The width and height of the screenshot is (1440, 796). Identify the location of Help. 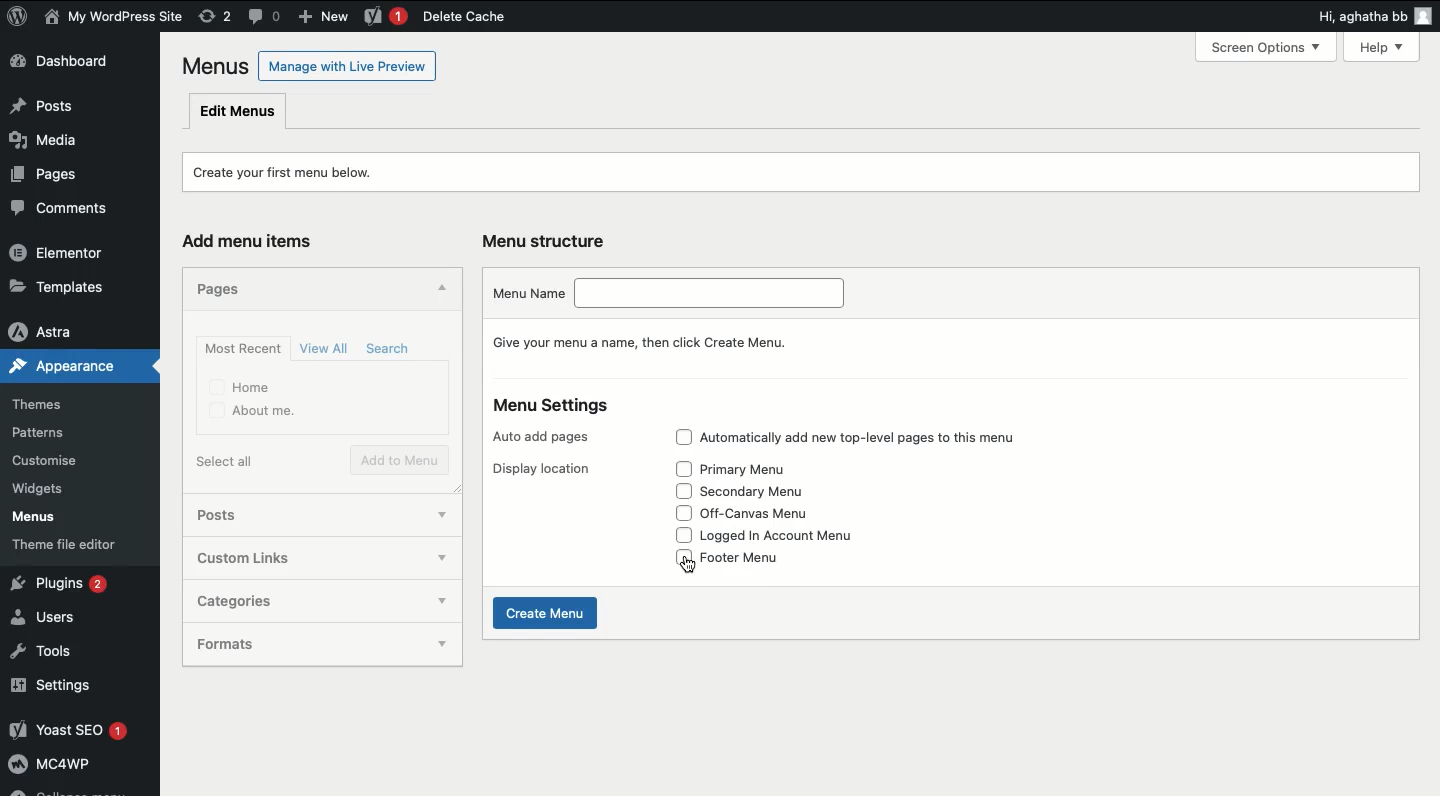
(1386, 45).